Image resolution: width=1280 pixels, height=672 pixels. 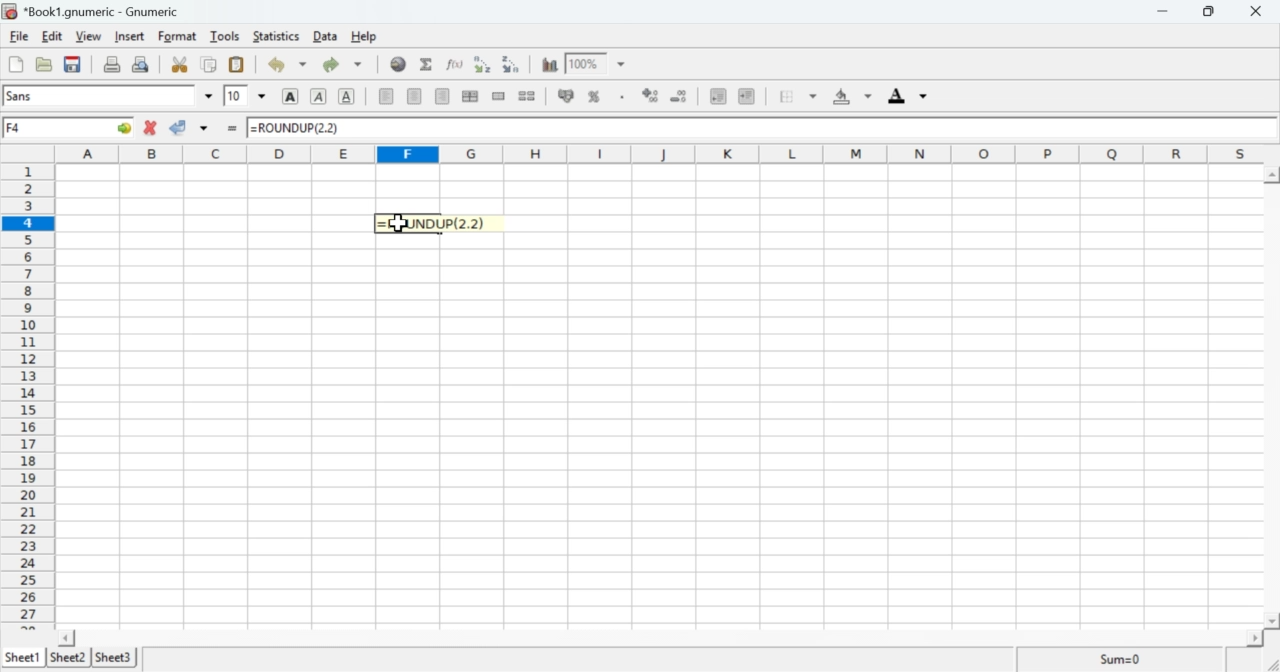 I want to click on Minimise, so click(x=1208, y=11).